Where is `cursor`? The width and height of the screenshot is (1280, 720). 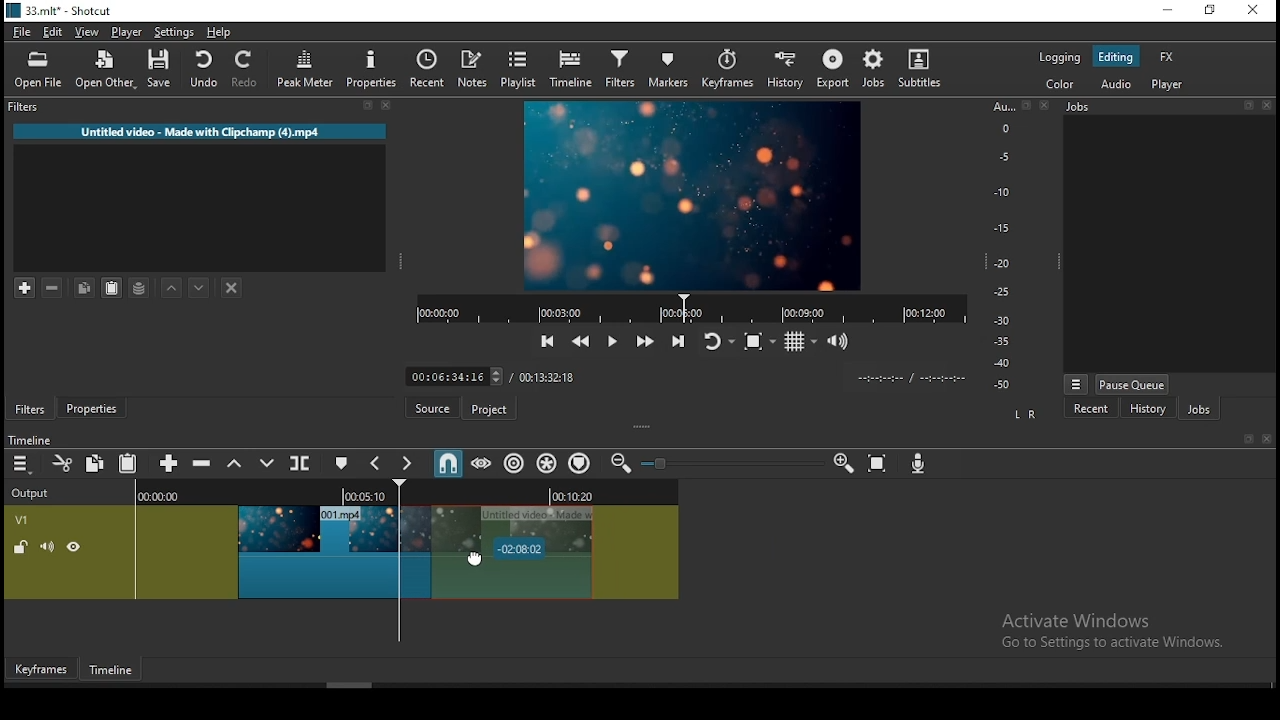
cursor is located at coordinates (492, 554).